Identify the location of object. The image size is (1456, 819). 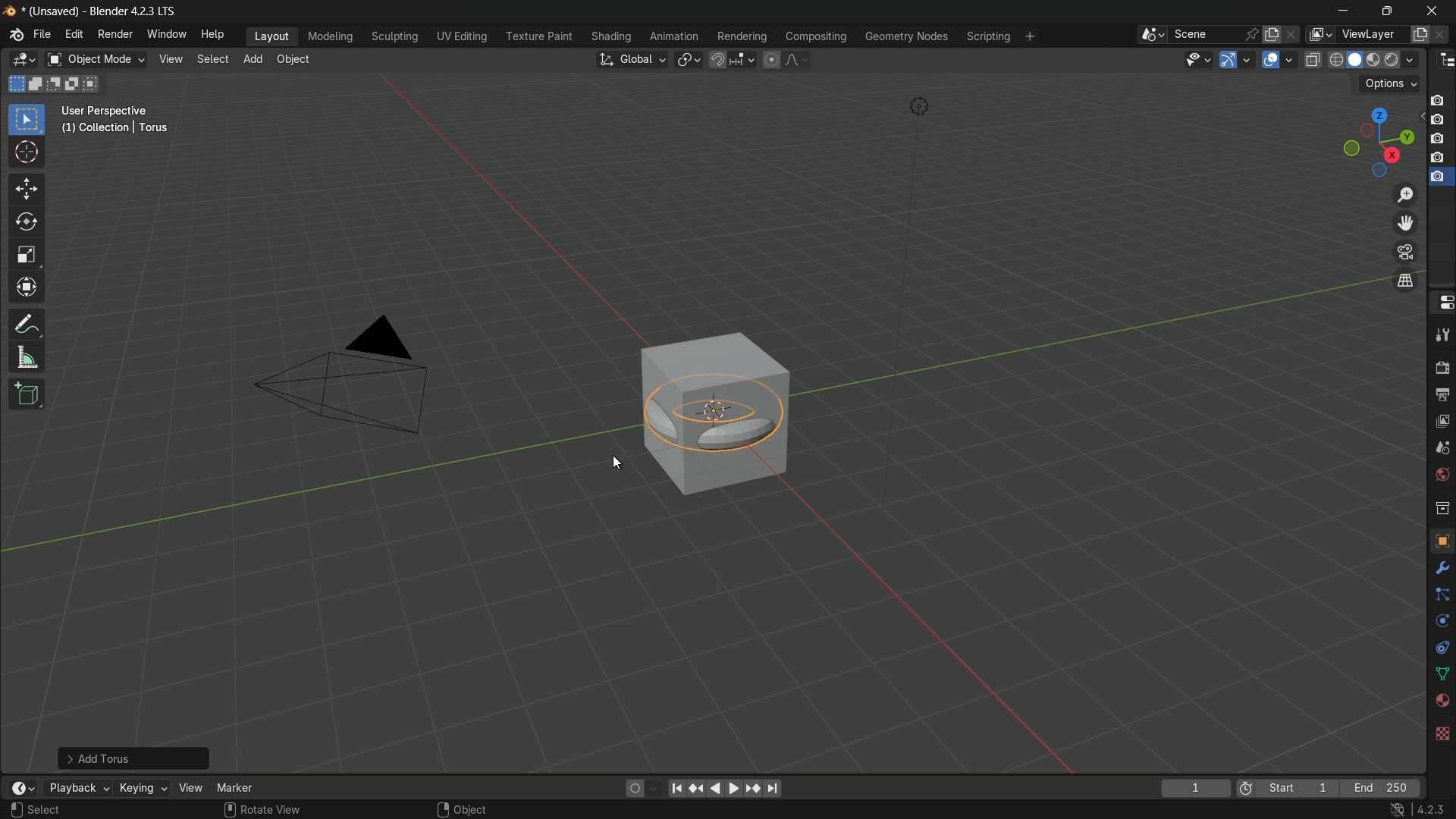
(293, 59).